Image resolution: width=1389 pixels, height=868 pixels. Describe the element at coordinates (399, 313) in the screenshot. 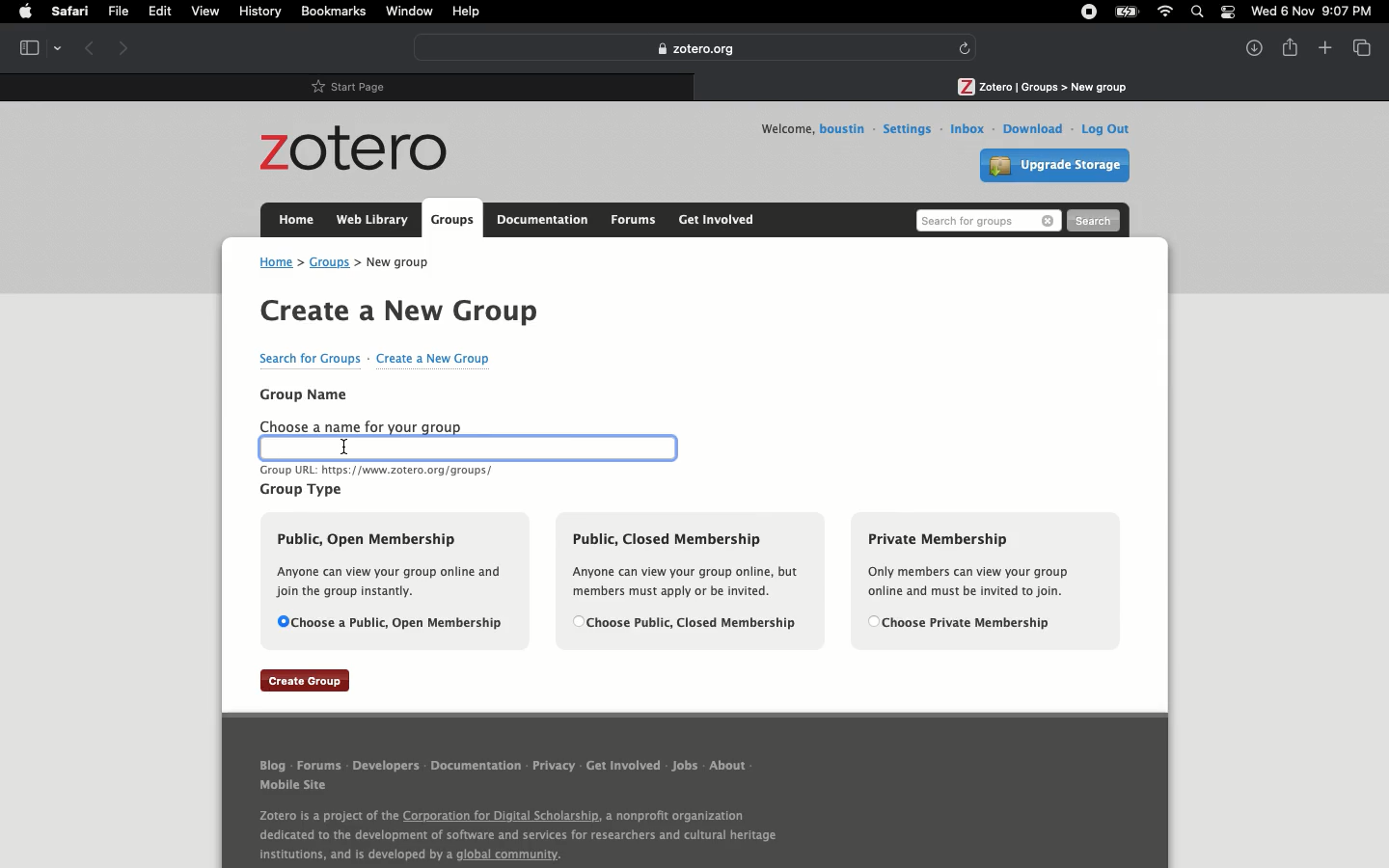

I see `Create a new group` at that location.